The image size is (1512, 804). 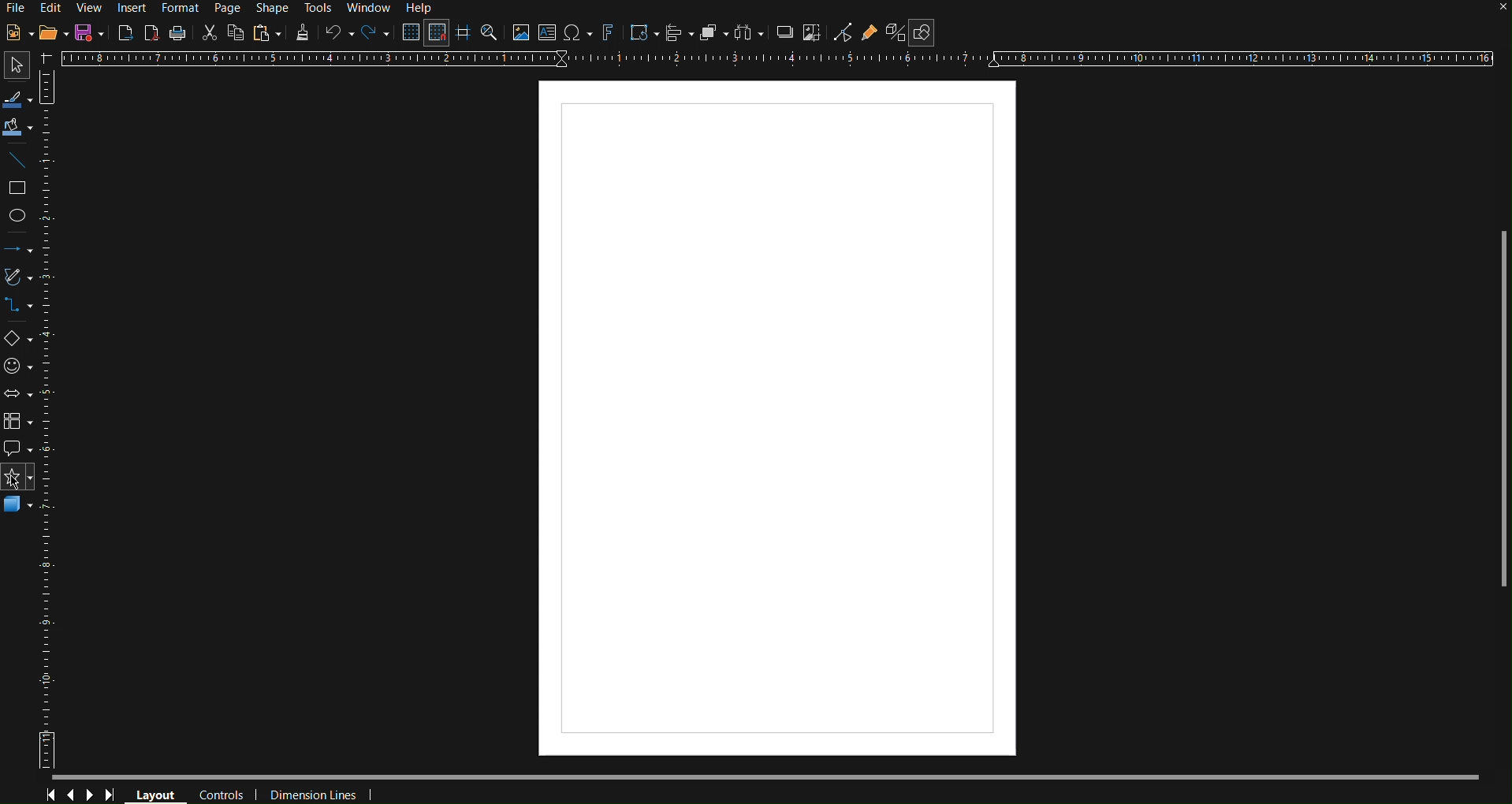 I want to click on Layout, so click(x=155, y=793).